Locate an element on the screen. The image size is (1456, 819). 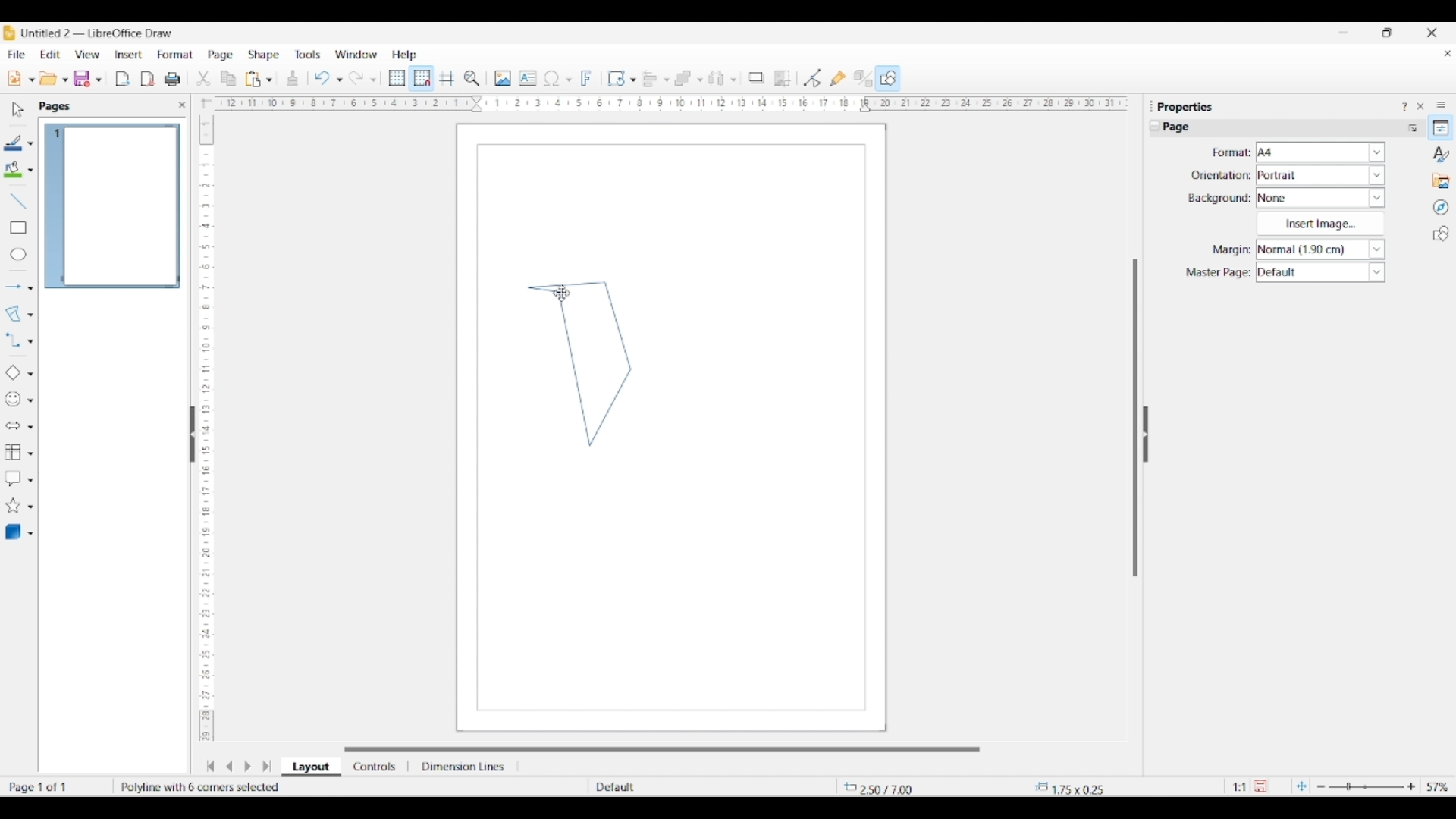
Horizontal ruler is located at coordinates (666, 103).